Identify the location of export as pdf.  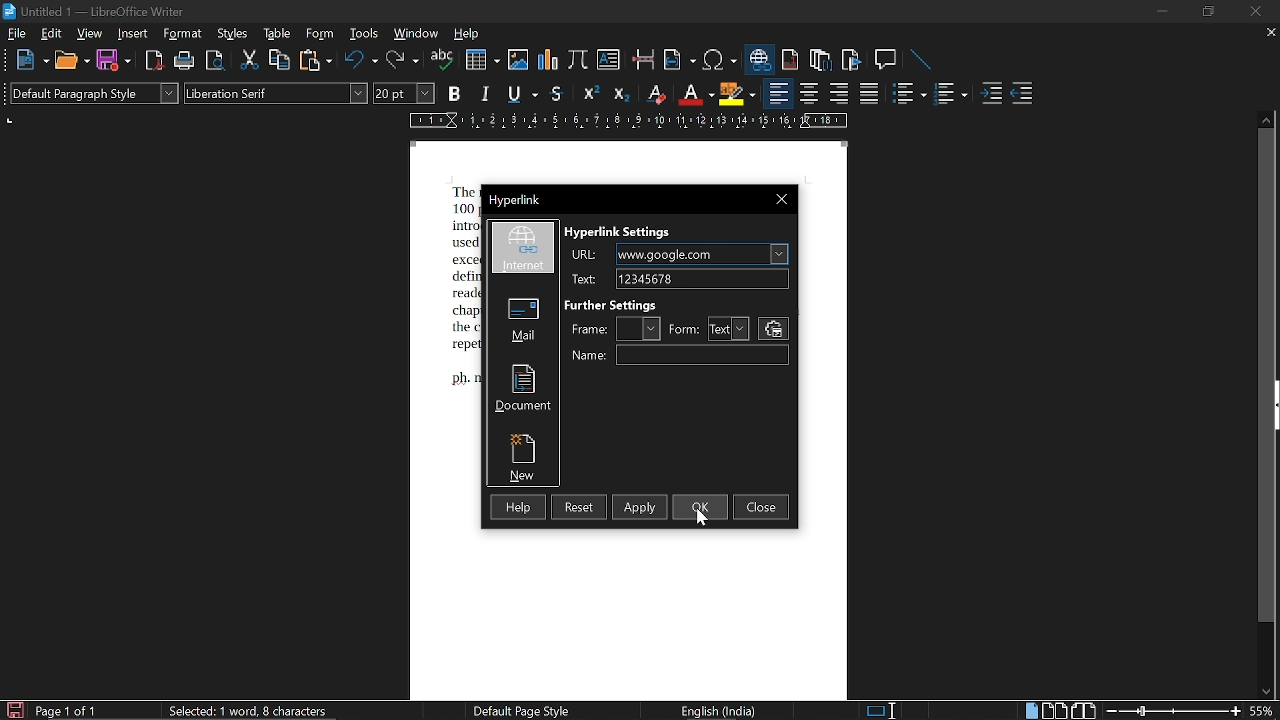
(151, 61).